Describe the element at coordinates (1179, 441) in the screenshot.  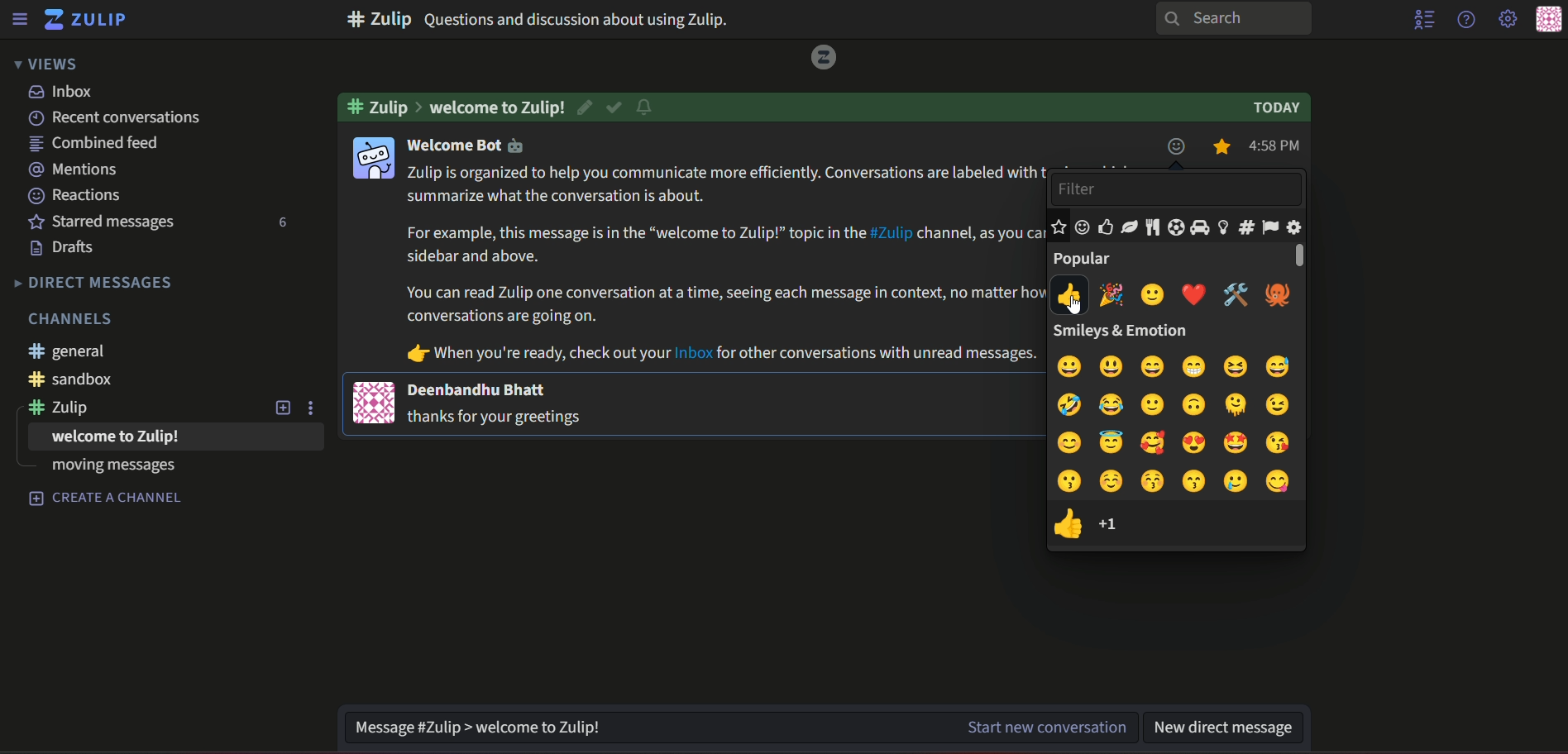
I see `emoji` at that location.